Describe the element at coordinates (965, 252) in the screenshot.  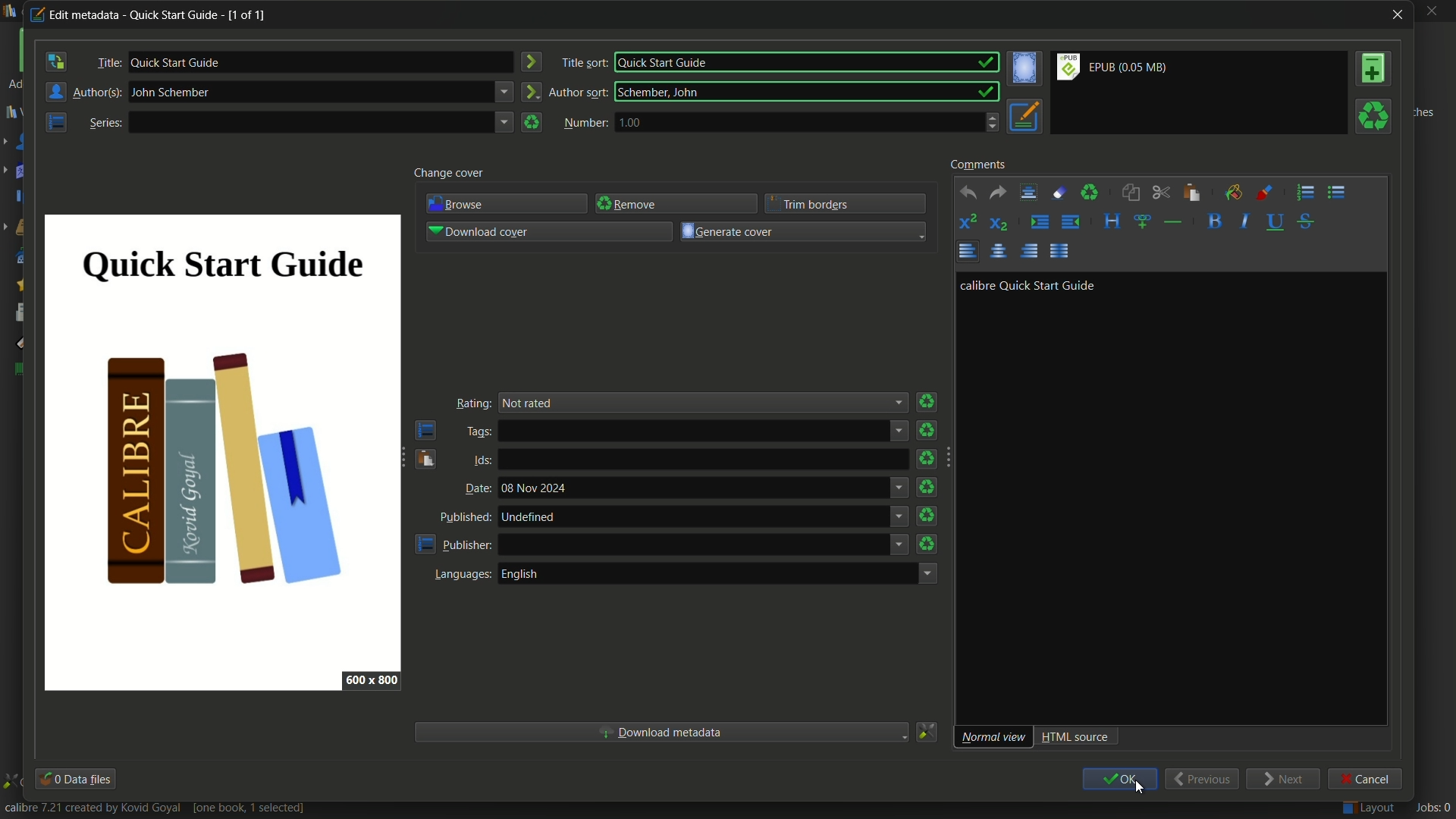
I see `align left` at that location.